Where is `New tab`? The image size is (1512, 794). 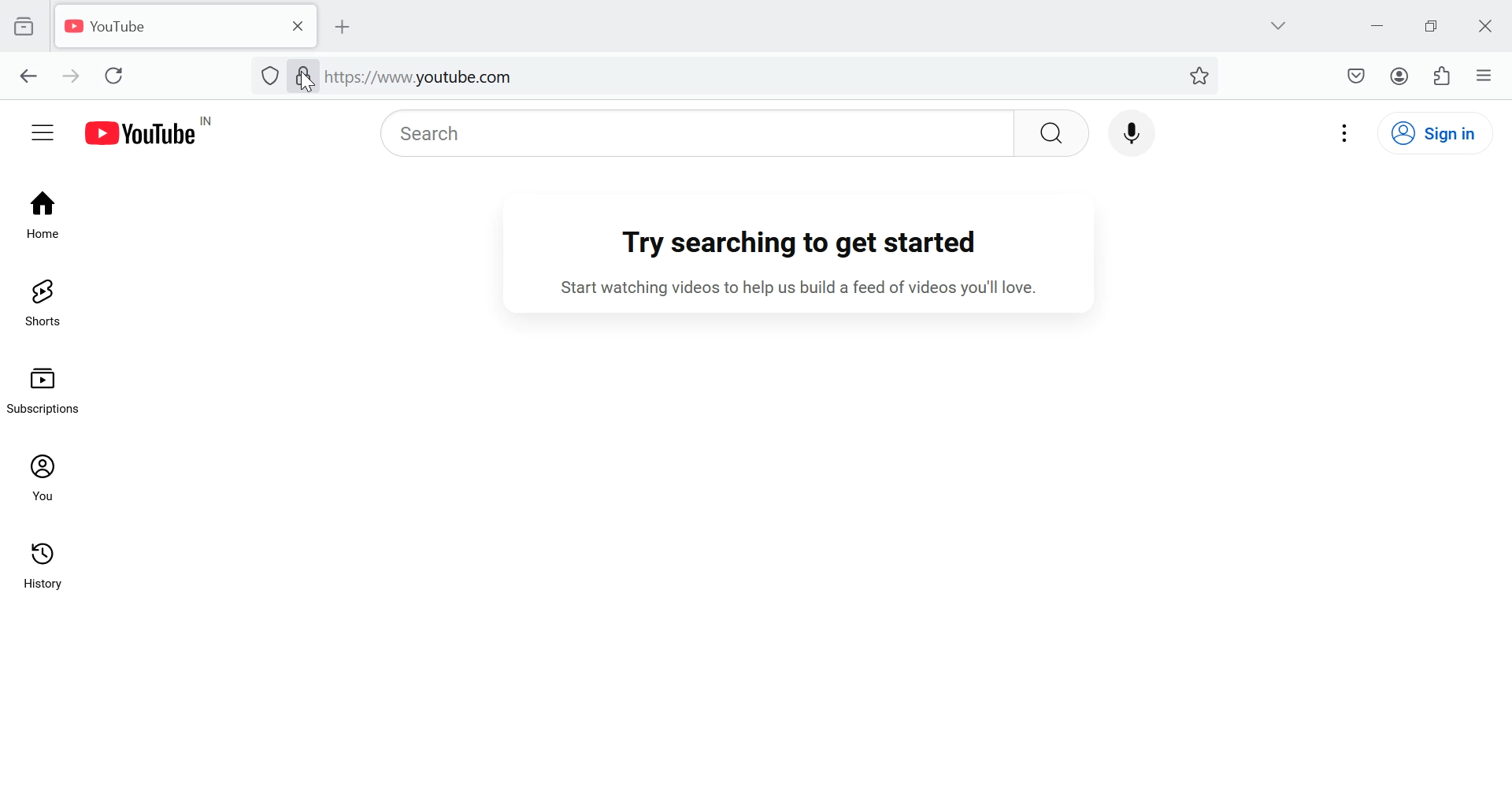
New tab is located at coordinates (350, 27).